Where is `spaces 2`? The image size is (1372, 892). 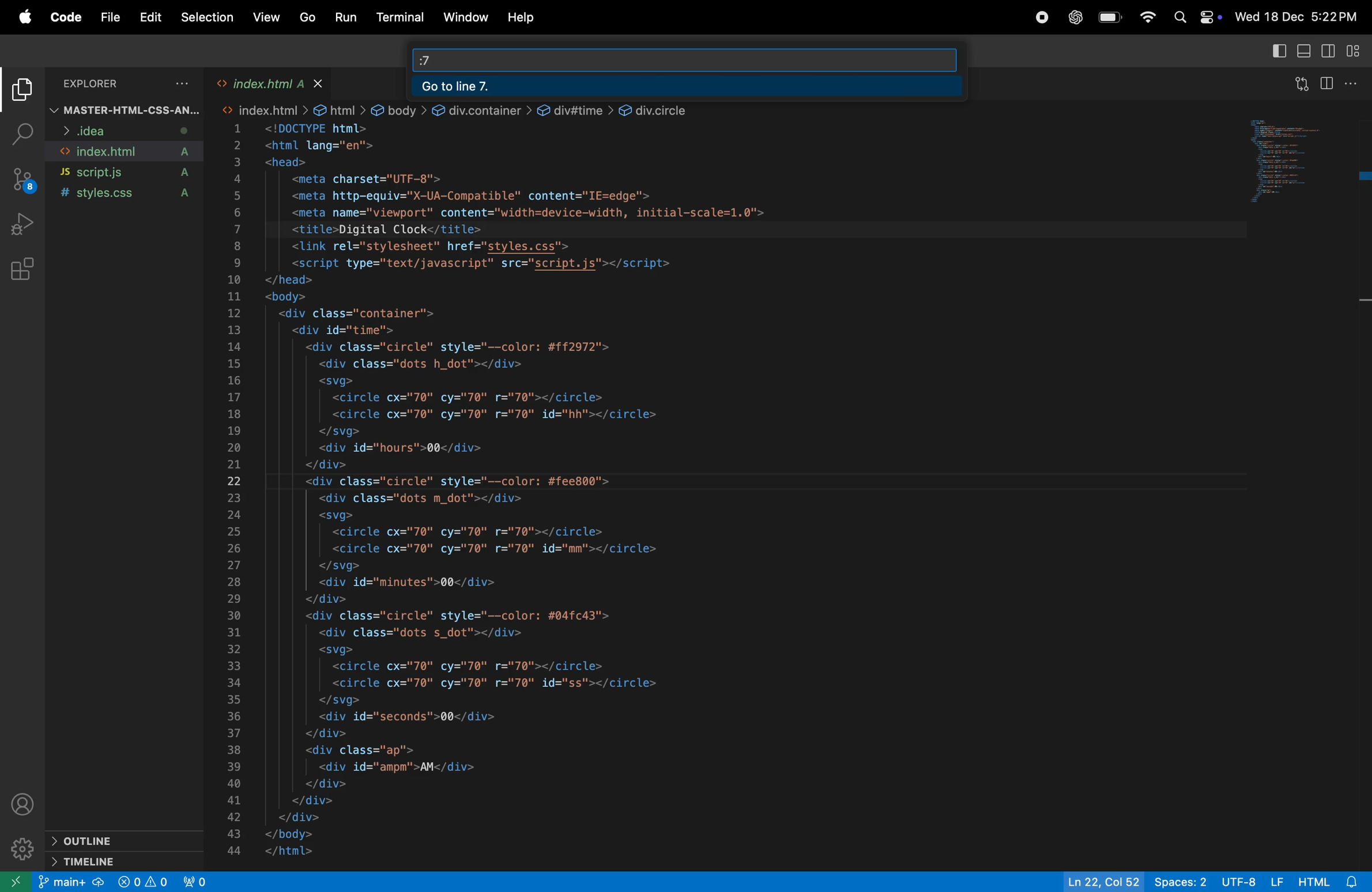 spaces 2 is located at coordinates (1178, 882).